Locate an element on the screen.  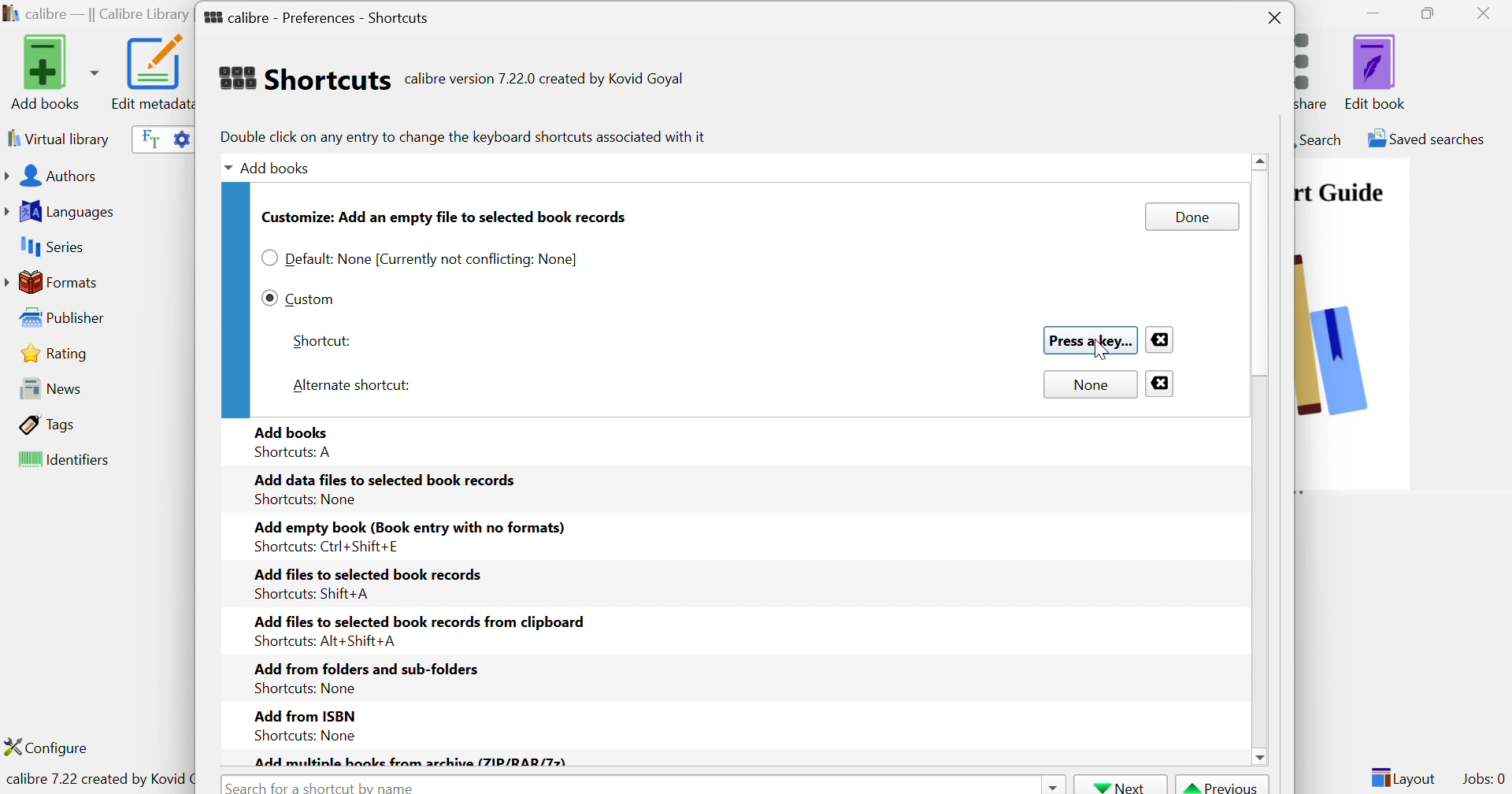
Previous is located at coordinates (1223, 785).